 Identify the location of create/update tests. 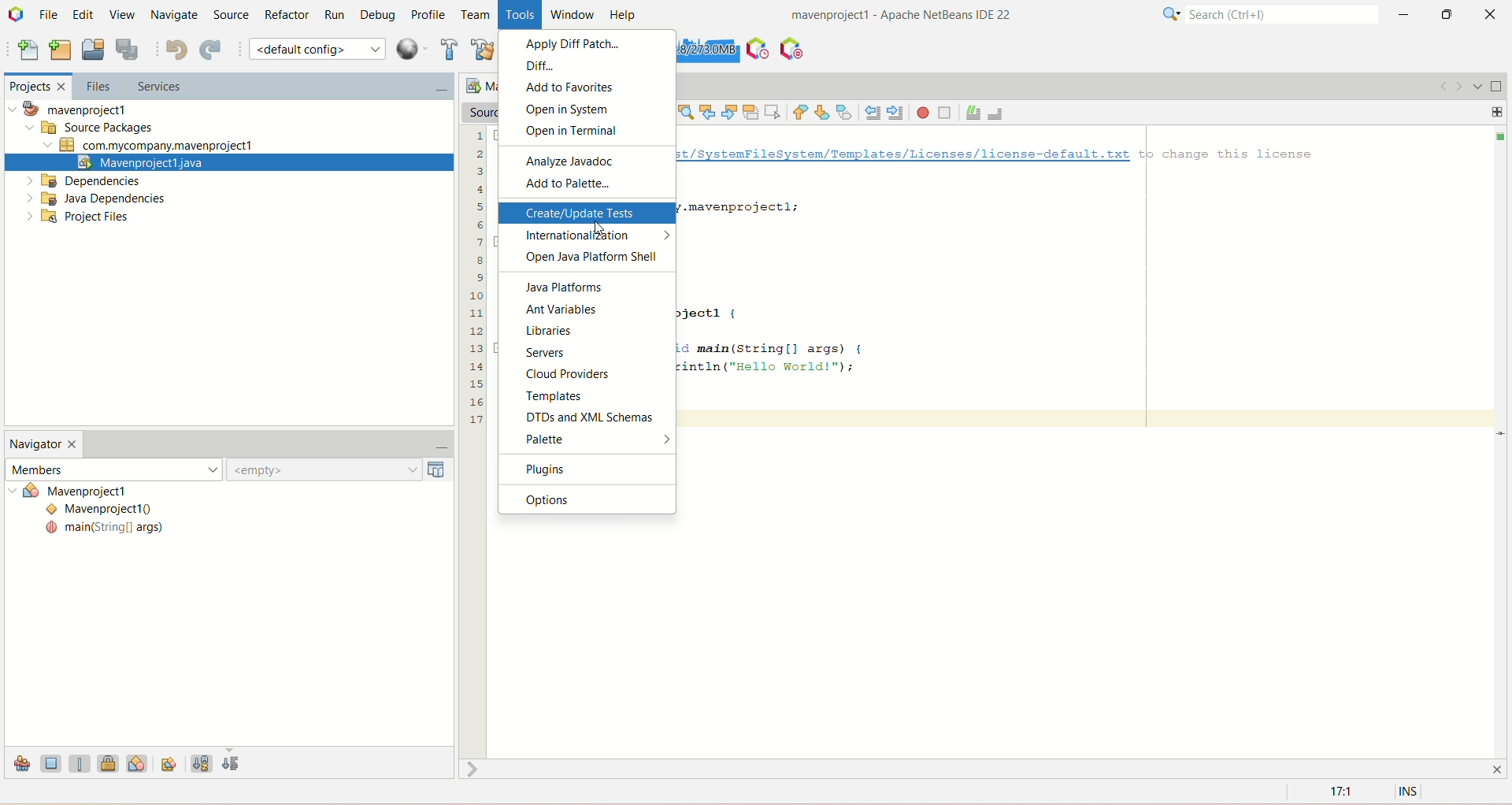
(587, 212).